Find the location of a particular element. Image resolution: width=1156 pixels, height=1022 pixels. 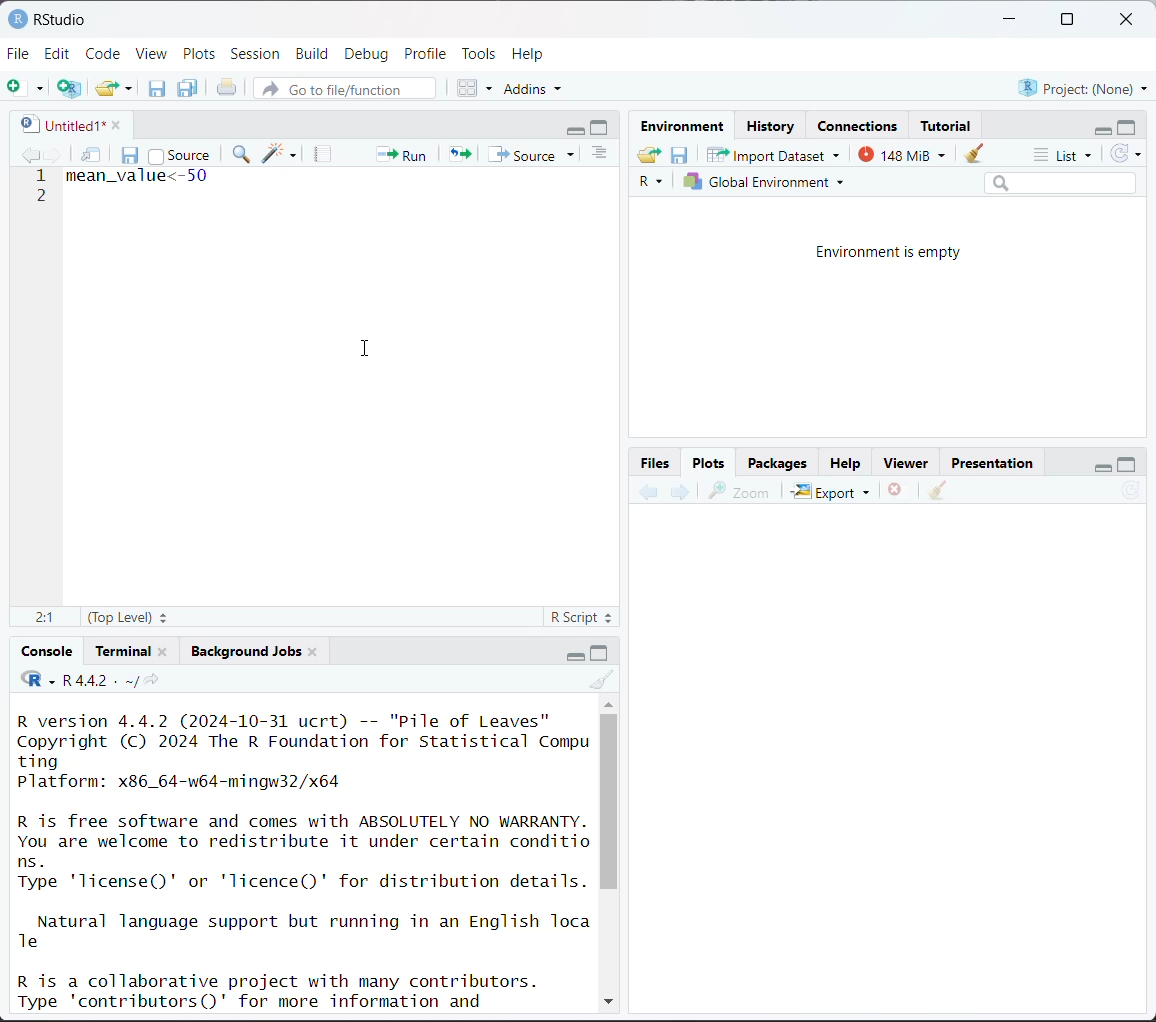

compile report is located at coordinates (325, 154).